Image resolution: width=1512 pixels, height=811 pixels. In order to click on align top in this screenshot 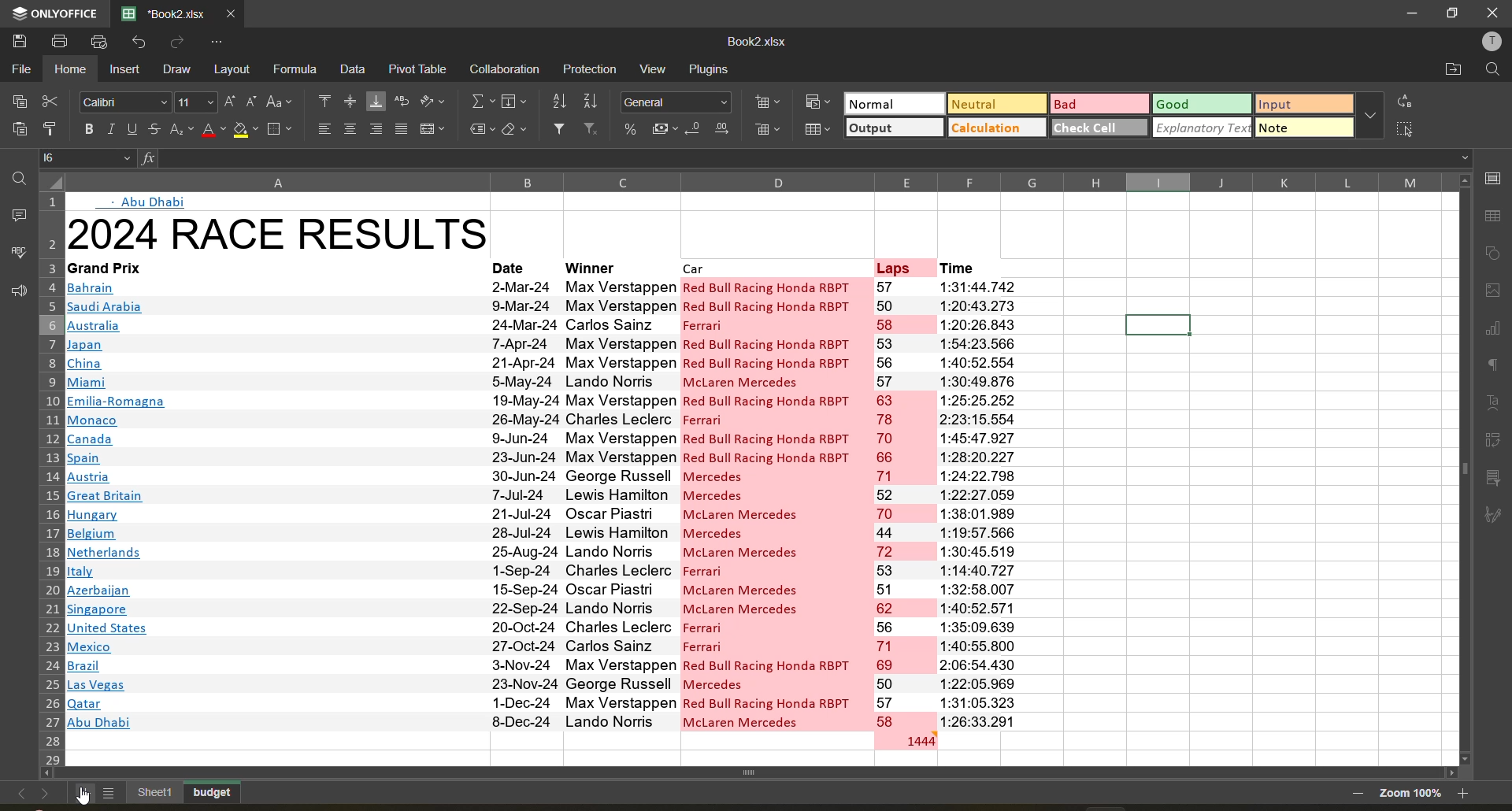, I will do `click(326, 102)`.